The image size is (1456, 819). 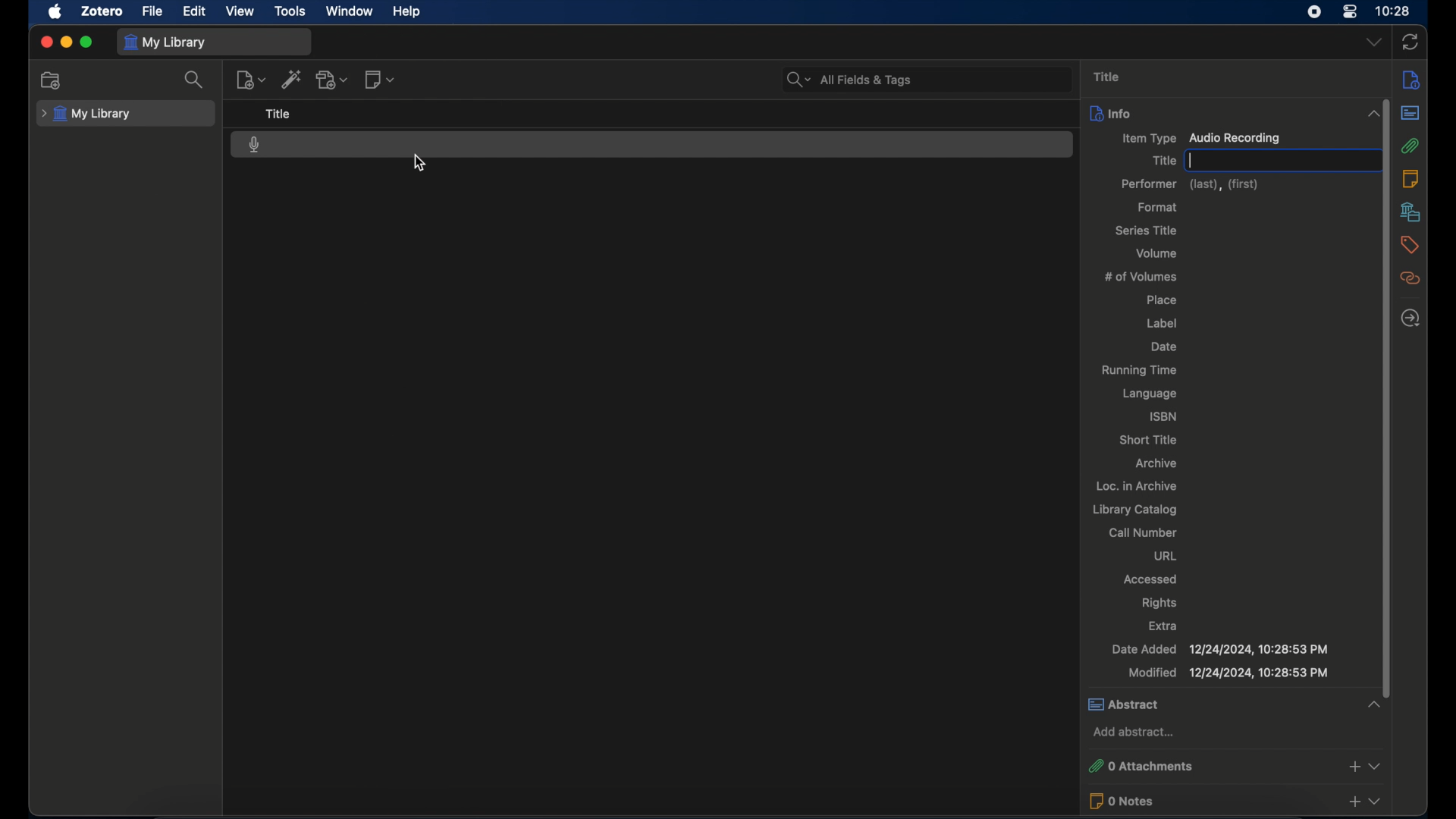 What do you see at coordinates (350, 11) in the screenshot?
I see `window` at bounding box center [350, 11].